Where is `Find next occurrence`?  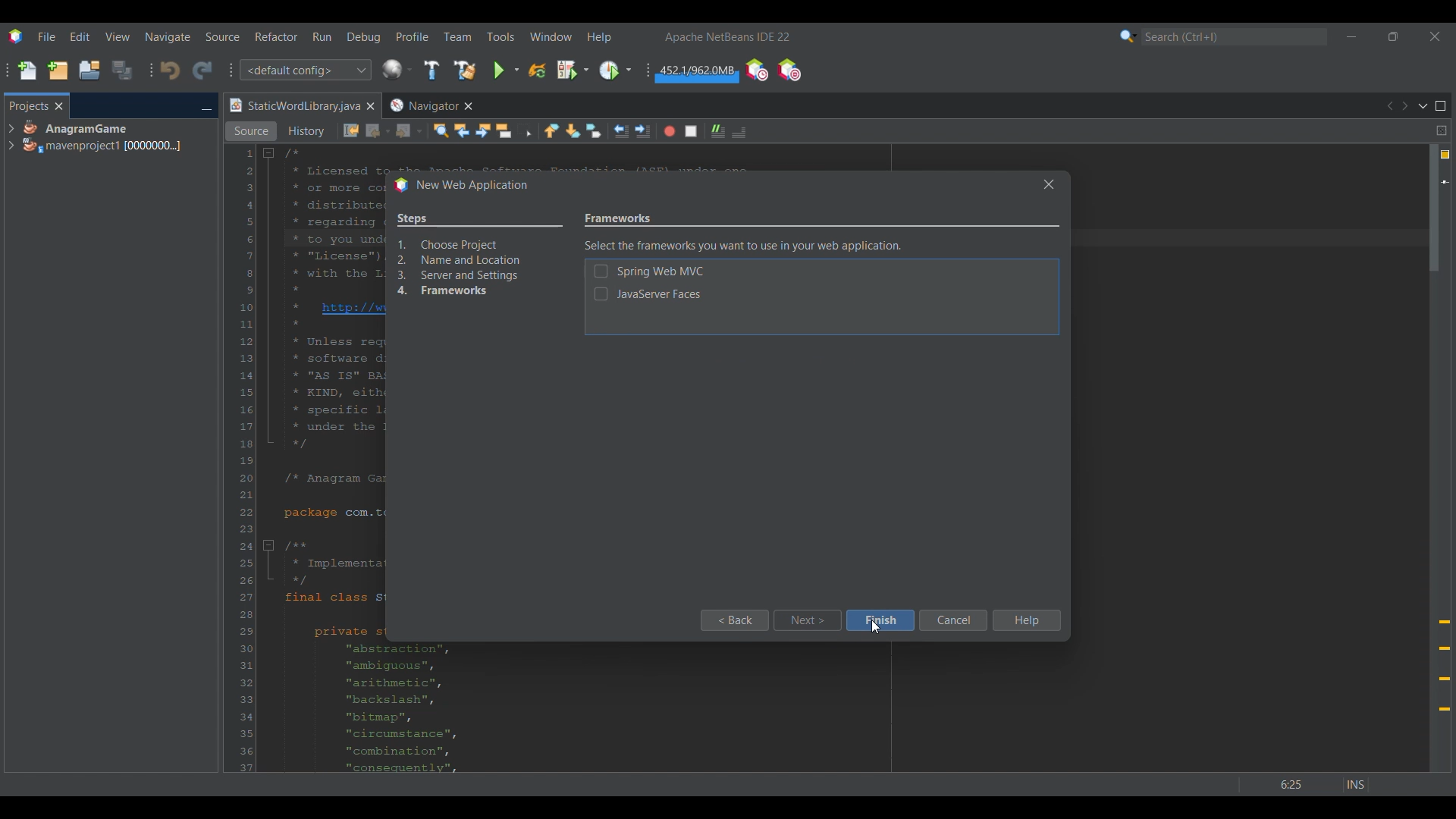
Find next occurrence is located at coordinates (483, 130).